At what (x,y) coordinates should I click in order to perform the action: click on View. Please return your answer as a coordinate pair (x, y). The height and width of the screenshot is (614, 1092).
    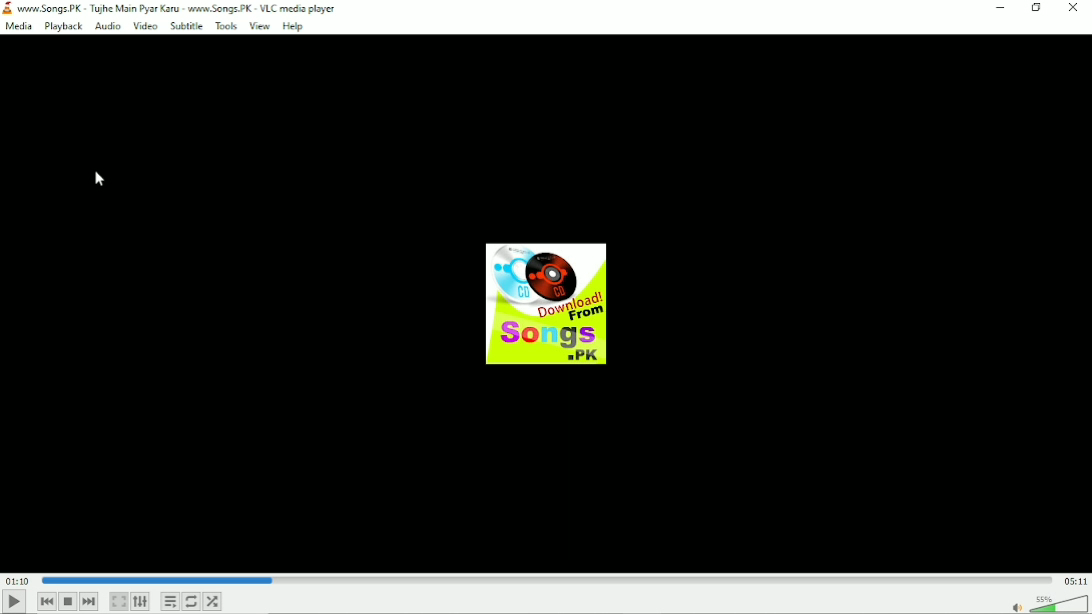
    Looking at the image, I should click on (259, 27).